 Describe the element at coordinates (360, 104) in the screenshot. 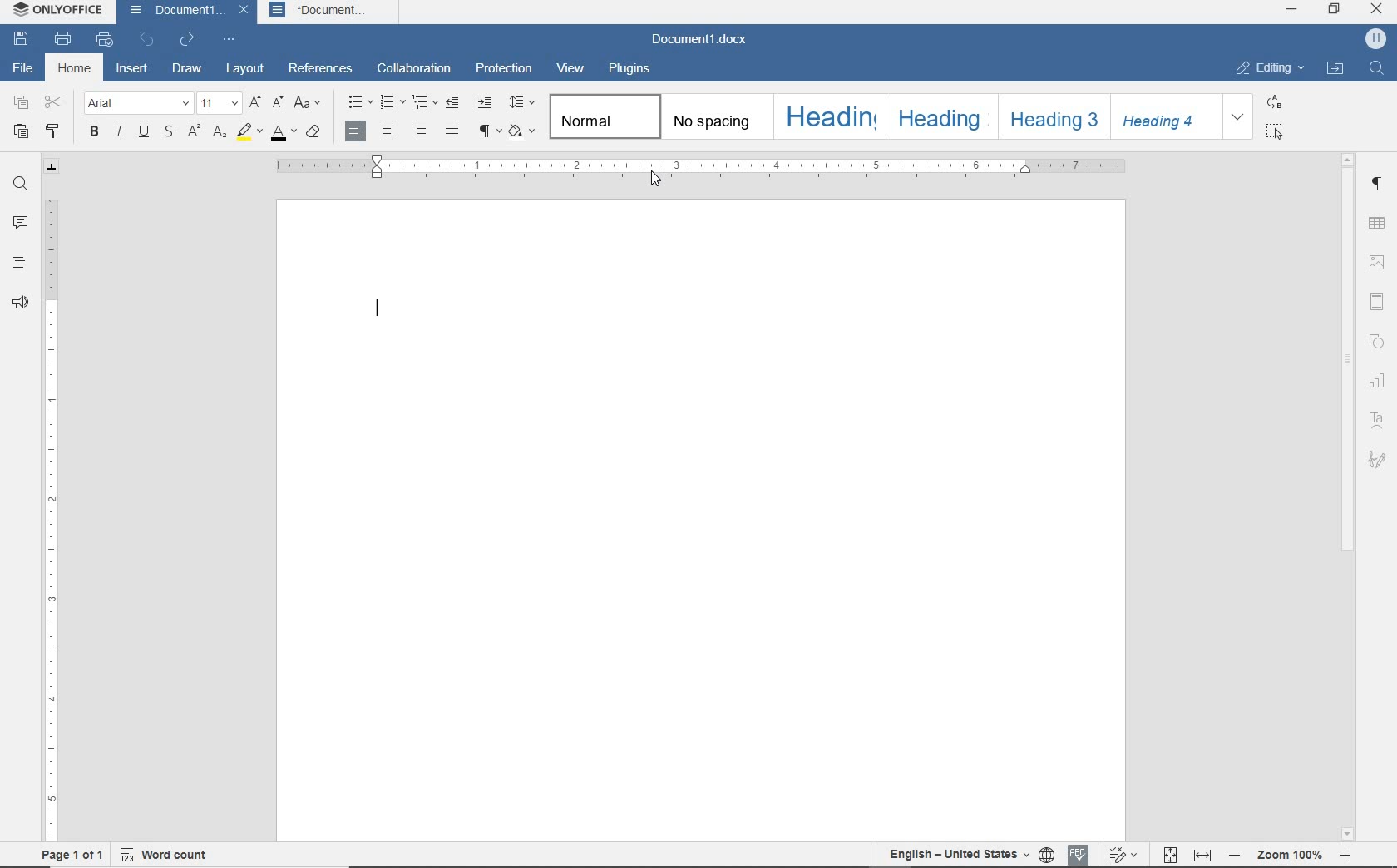

I see `BULLETS` at that location.